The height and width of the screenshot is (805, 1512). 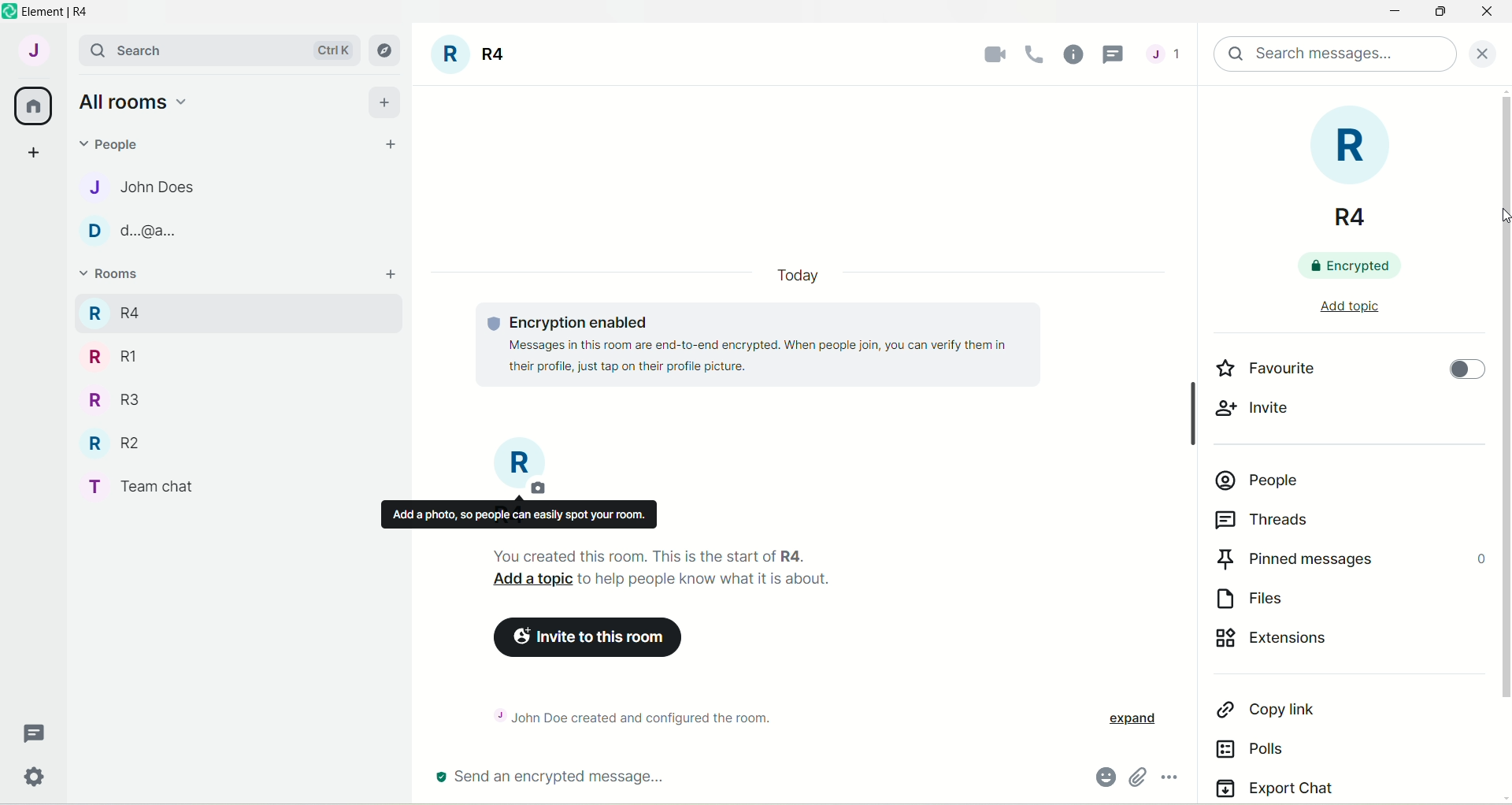 What do you see at coordinates (1487, 15) in the screenshot?
I see `close` at bounding box center [1487, 15].